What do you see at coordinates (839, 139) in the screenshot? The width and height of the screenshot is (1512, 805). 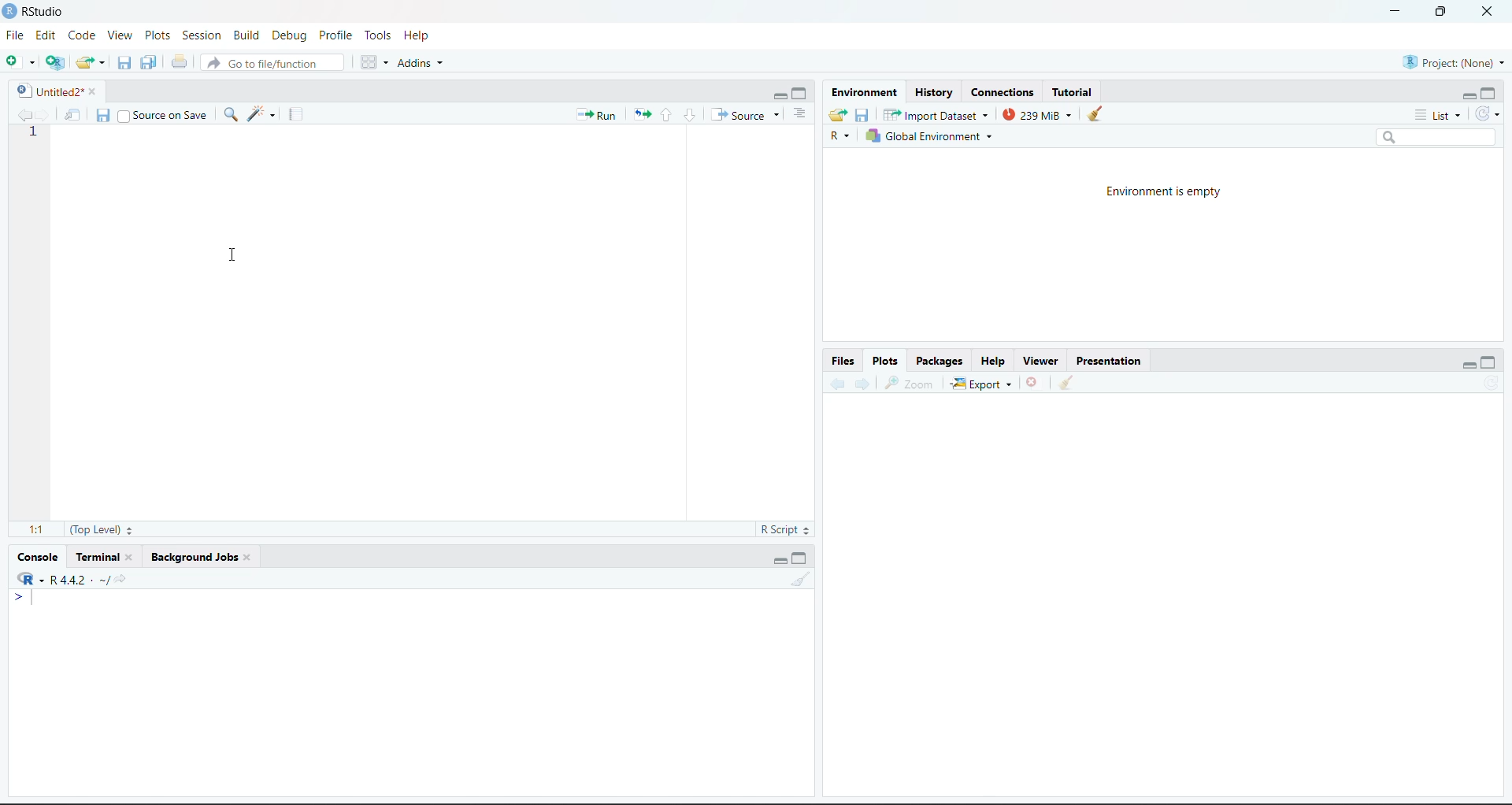 I see `R` at bounding box center [839, 139].